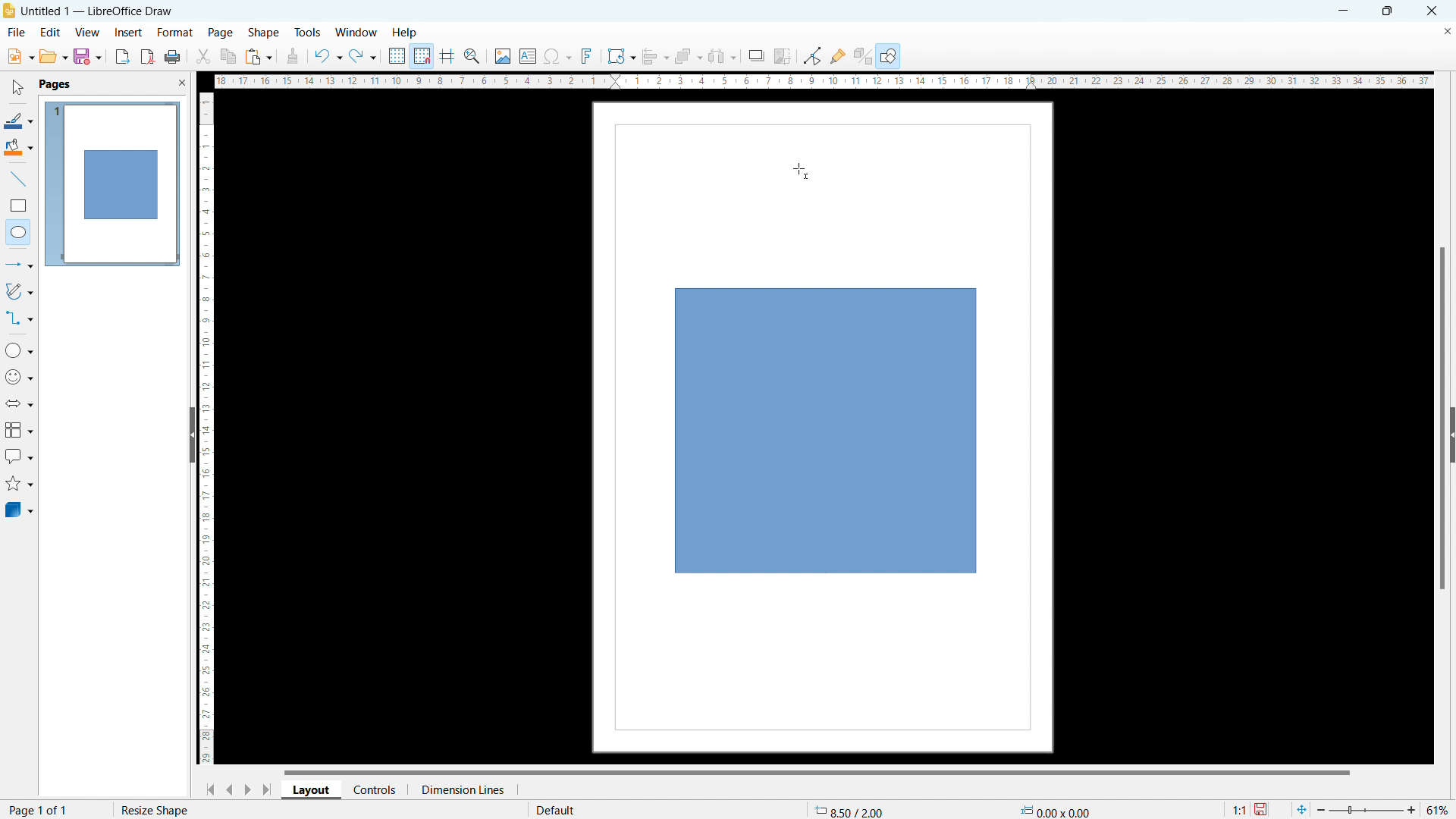  What do you see at coordinates (1341, 10) in the screenshot?
I see `minimize` at bounding box center [1341, 10].